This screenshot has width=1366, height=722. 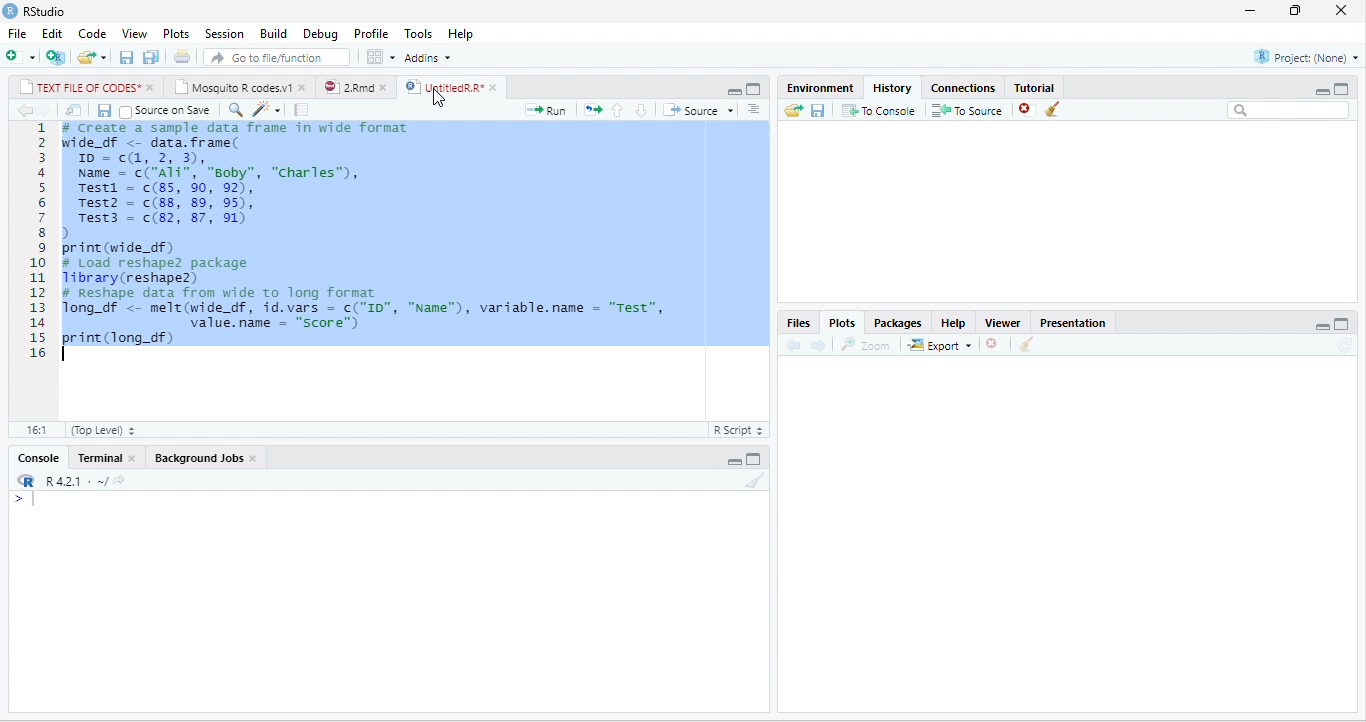 I want to click on down, so click(x=642, y=110).